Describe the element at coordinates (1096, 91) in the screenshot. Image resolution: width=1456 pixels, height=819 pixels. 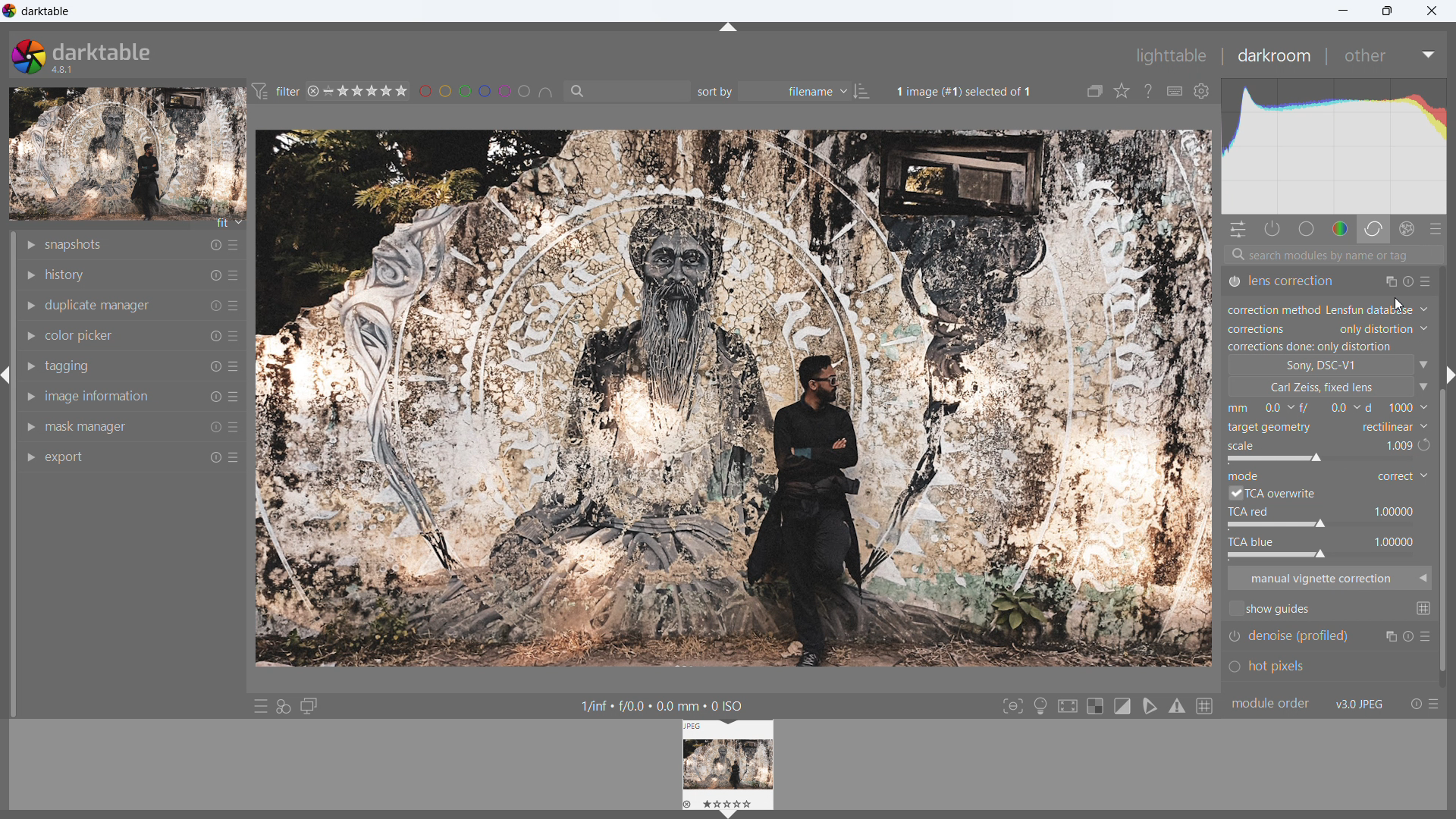
I see `collapse grouped images` at that location.